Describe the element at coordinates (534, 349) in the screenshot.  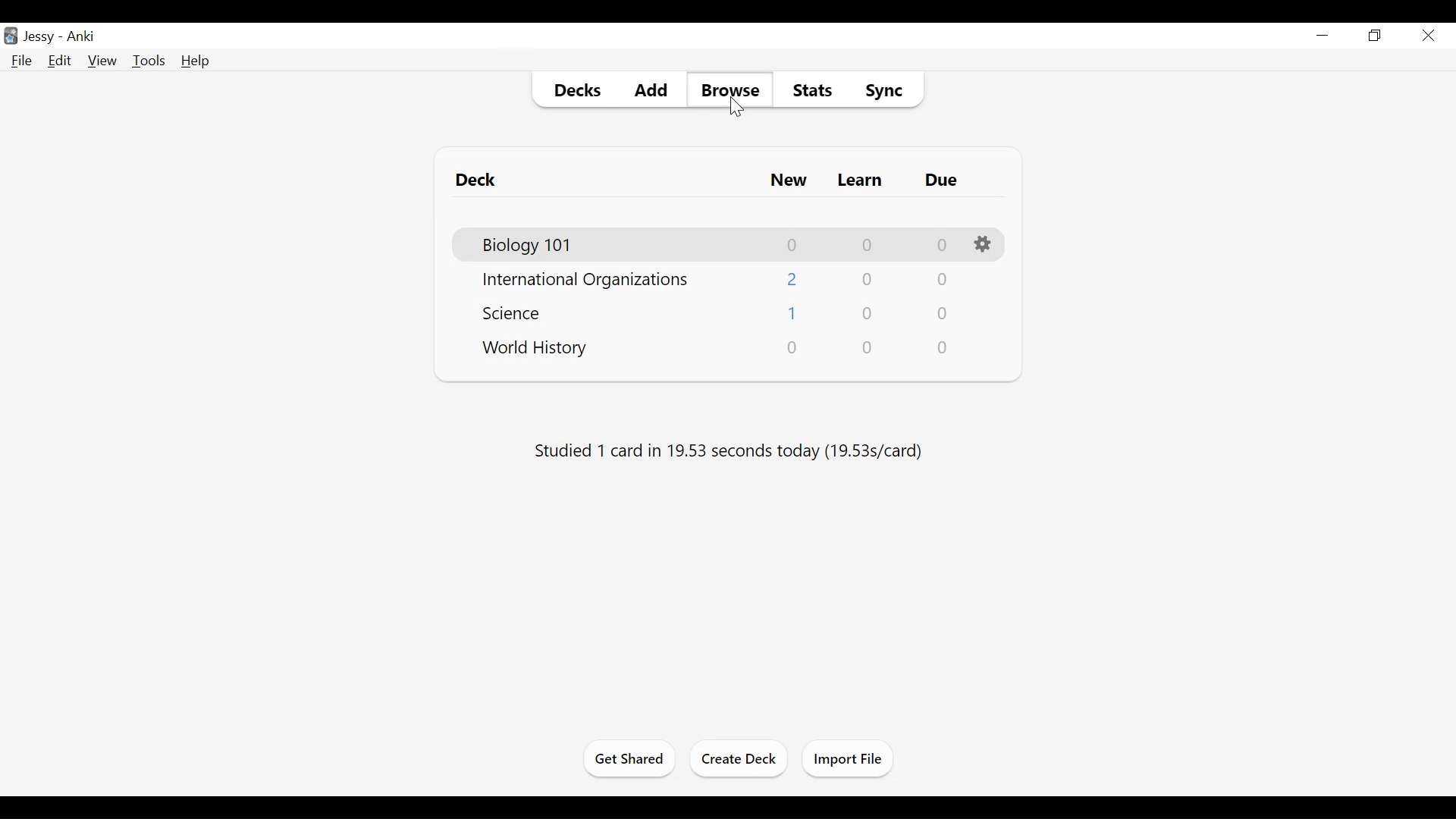
I see `Deck Name` at that location.